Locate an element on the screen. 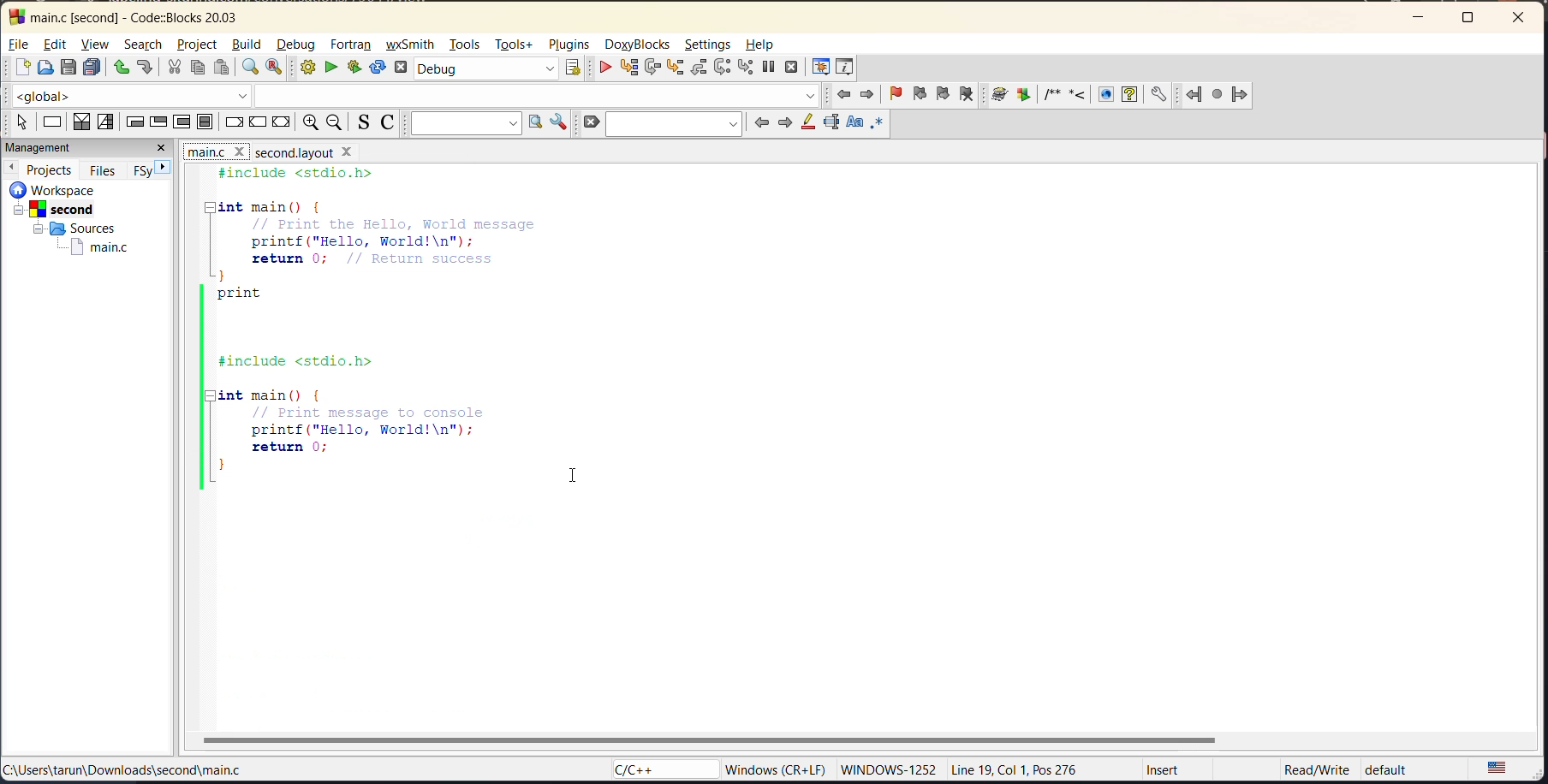  previous bookmark is located at coordinates (922, 93).